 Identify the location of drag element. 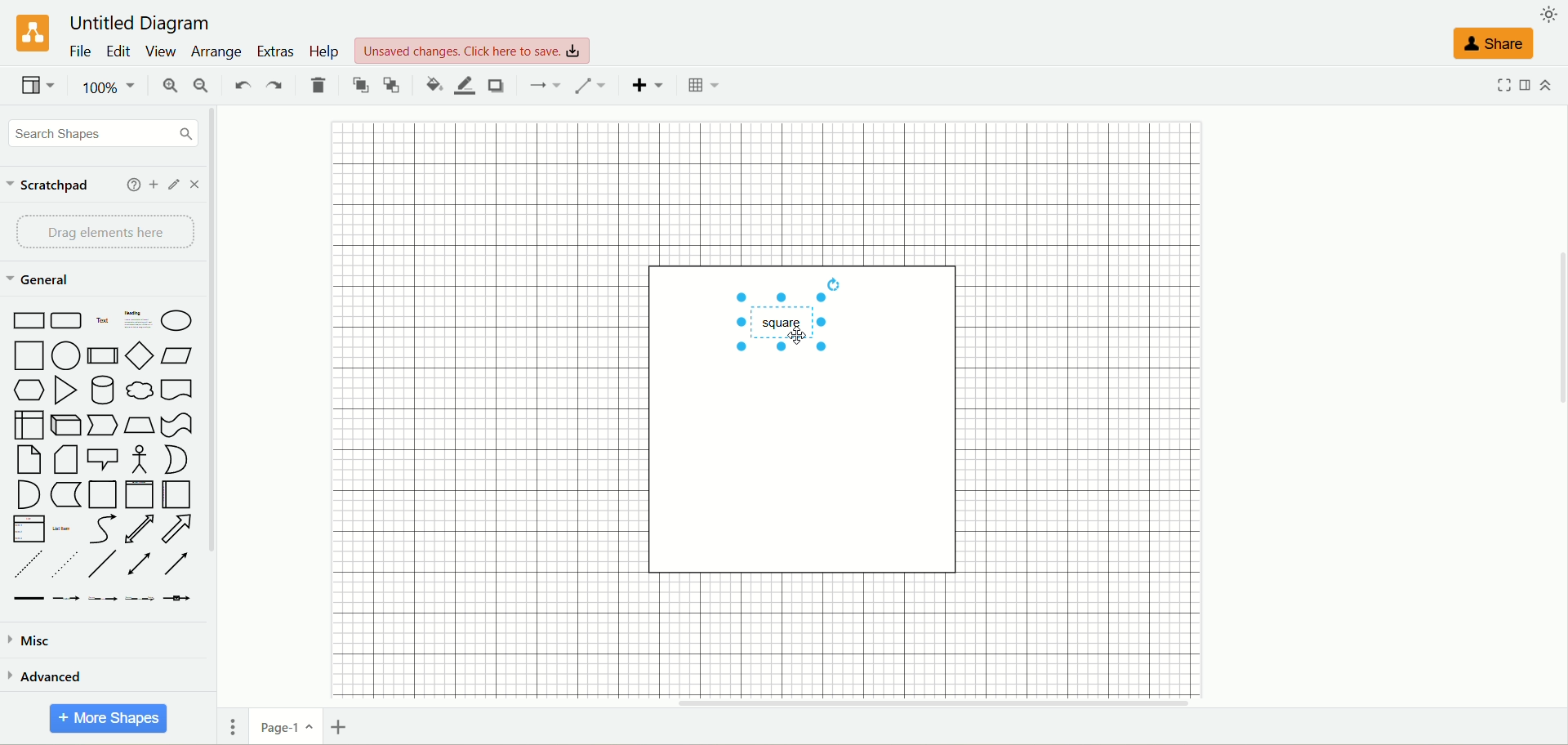
(105, 233).